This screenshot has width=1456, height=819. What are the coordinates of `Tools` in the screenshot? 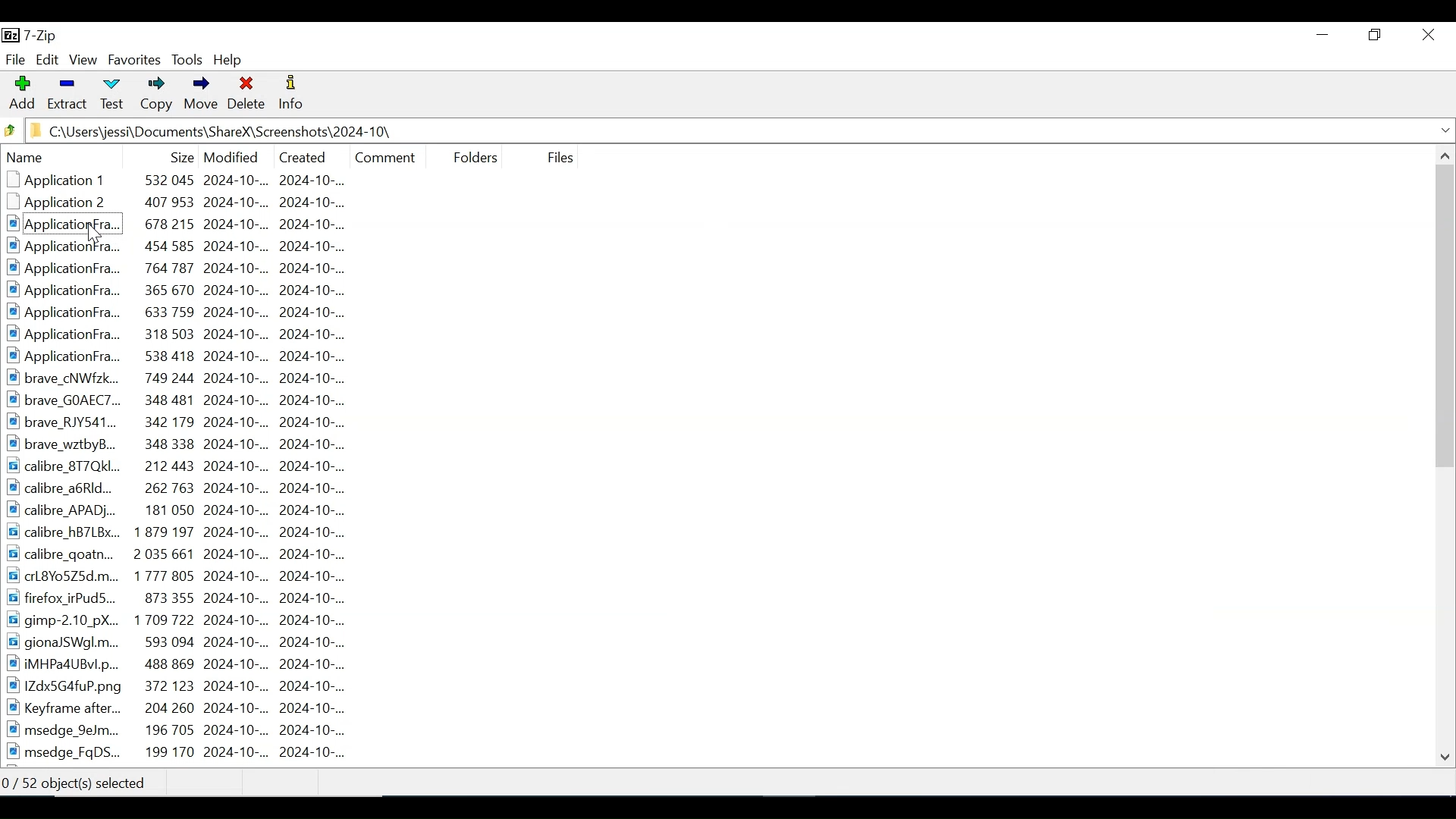 It's located at (188, 60).